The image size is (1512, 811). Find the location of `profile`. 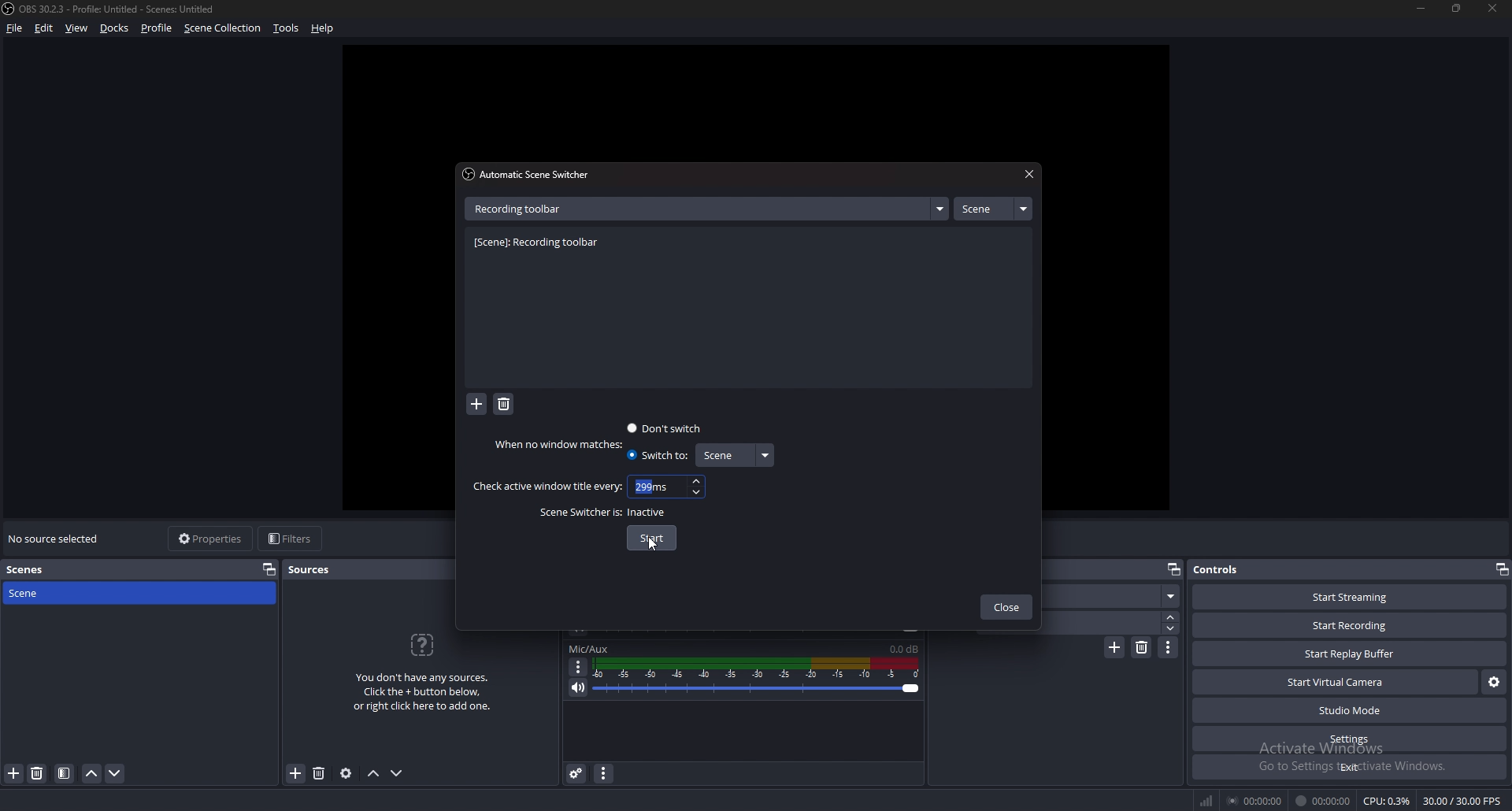

profile is located at coordinates (157, 28).